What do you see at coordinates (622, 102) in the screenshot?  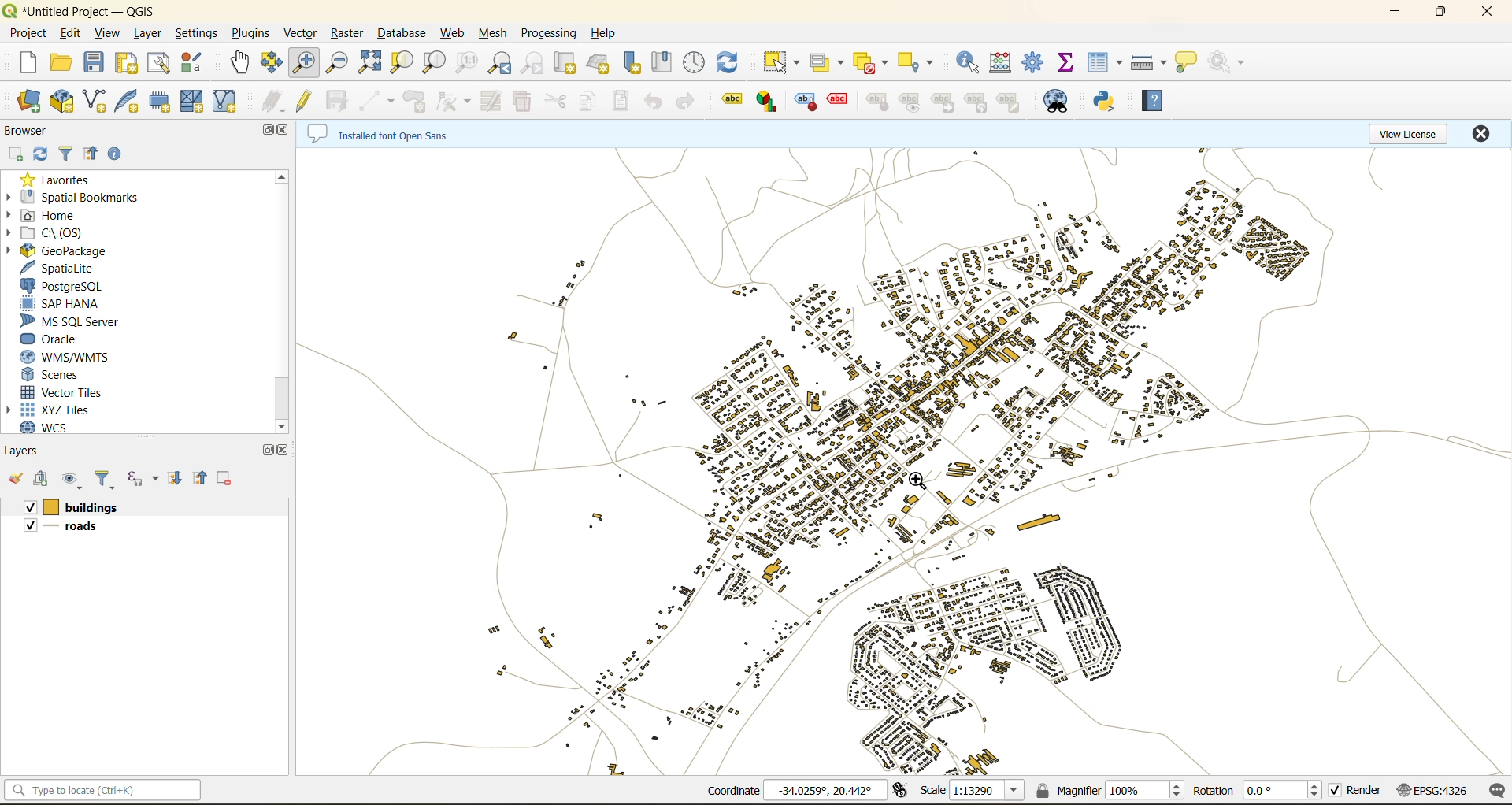 I see `paste` at bounding box center [622, 102].